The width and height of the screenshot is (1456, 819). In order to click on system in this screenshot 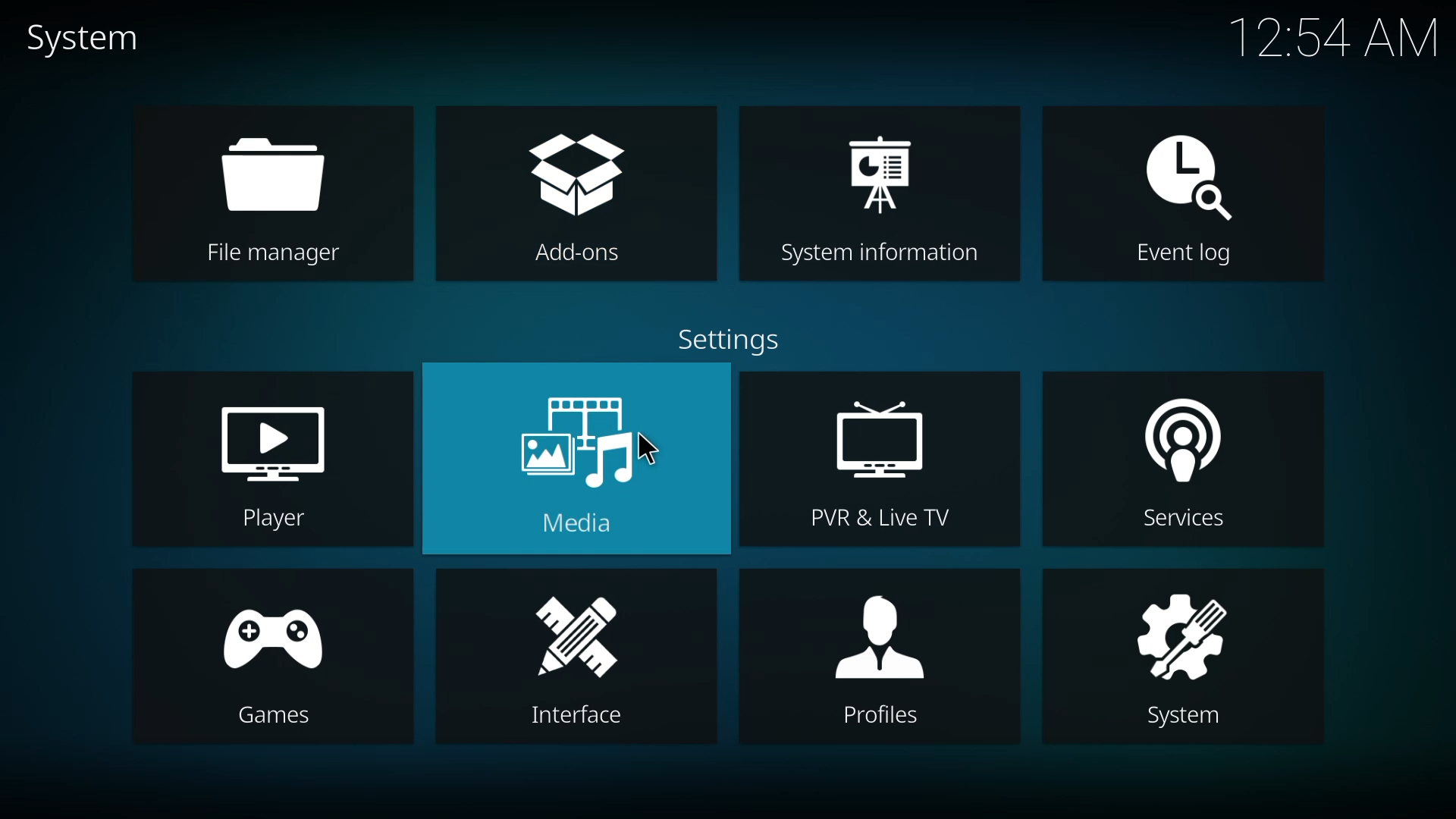, I will do `click(1184, 657)`.